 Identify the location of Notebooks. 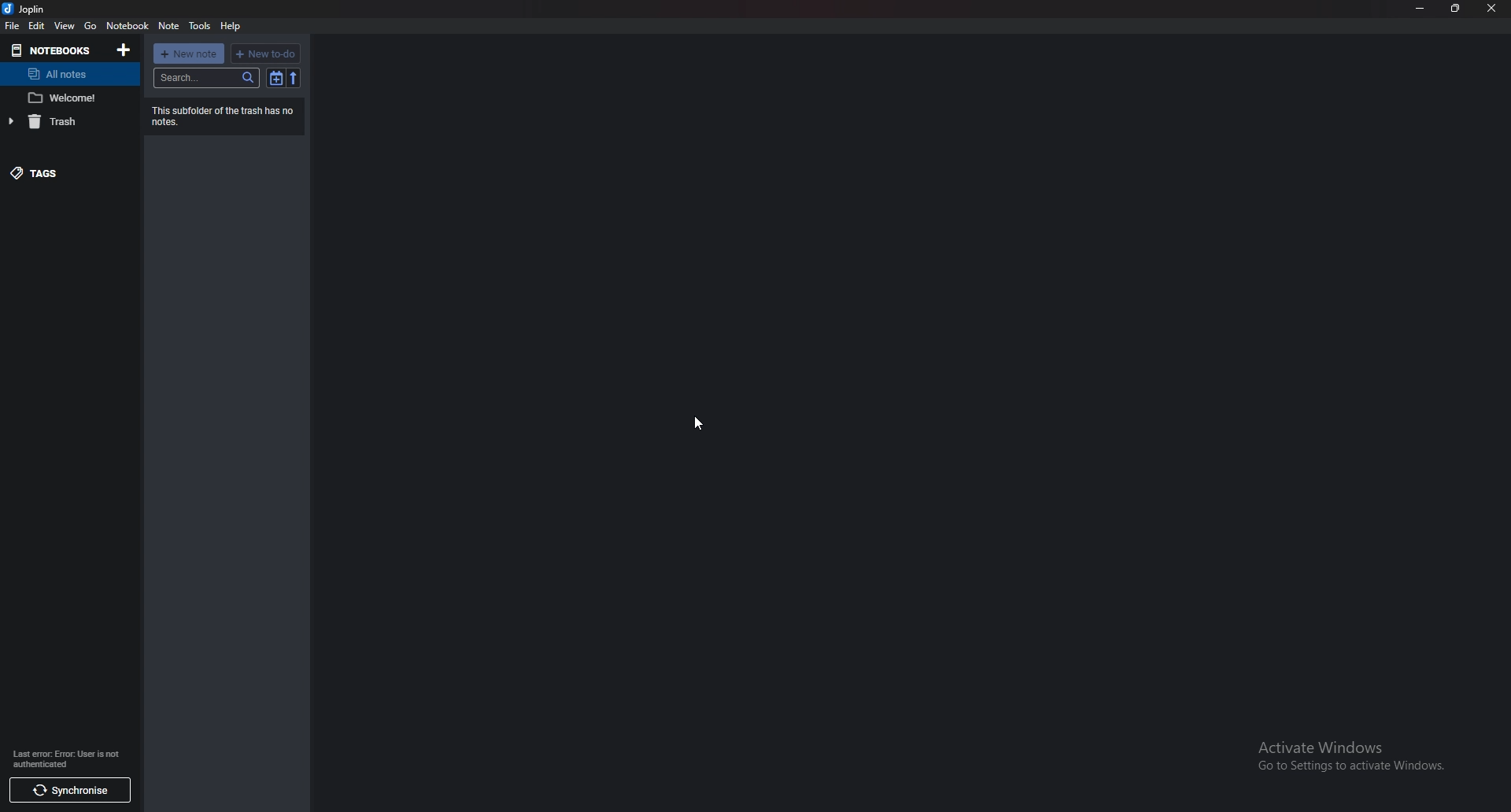
(57, 51).